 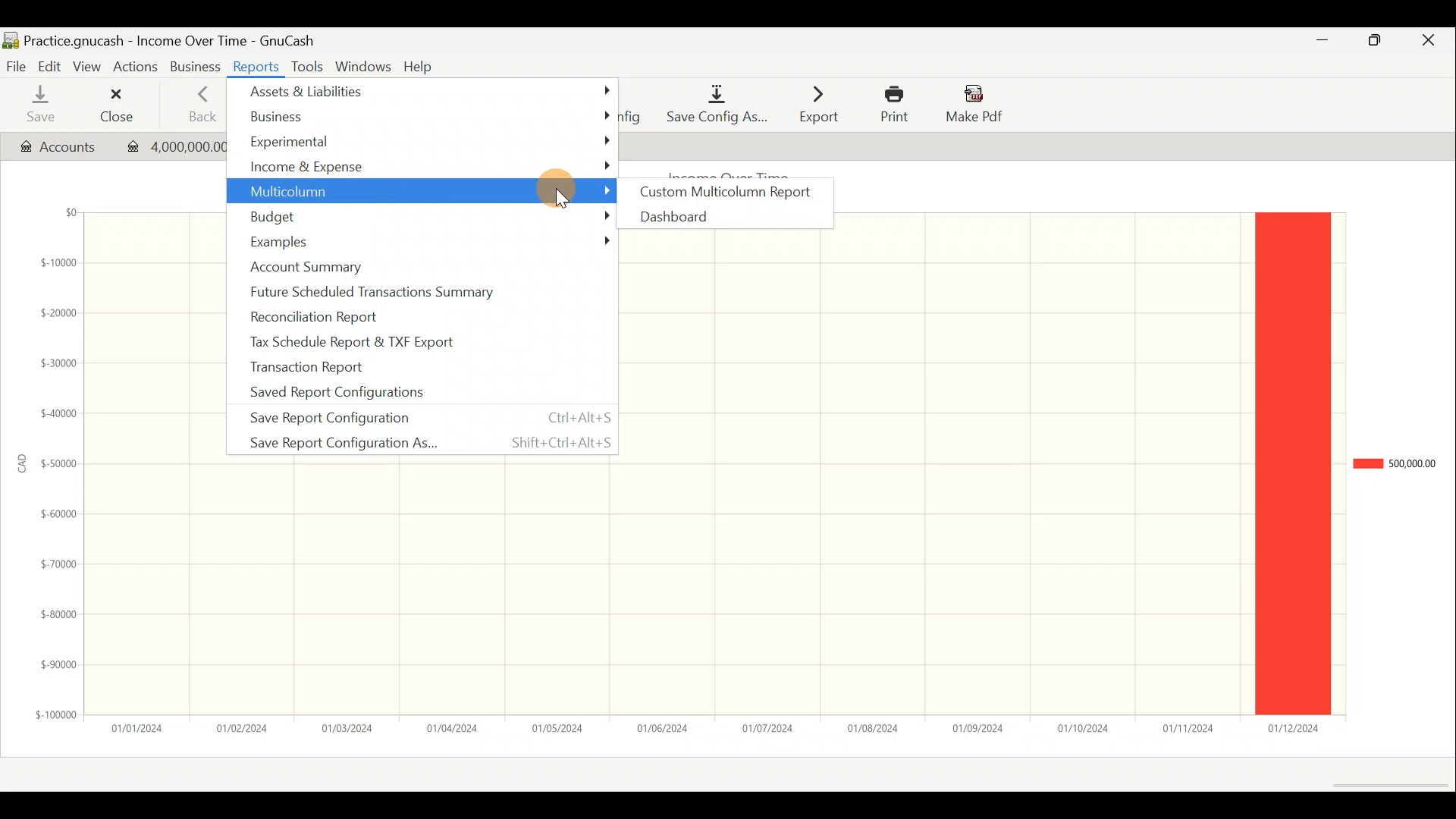 I want to click on Export, so click(x=811, y=104).